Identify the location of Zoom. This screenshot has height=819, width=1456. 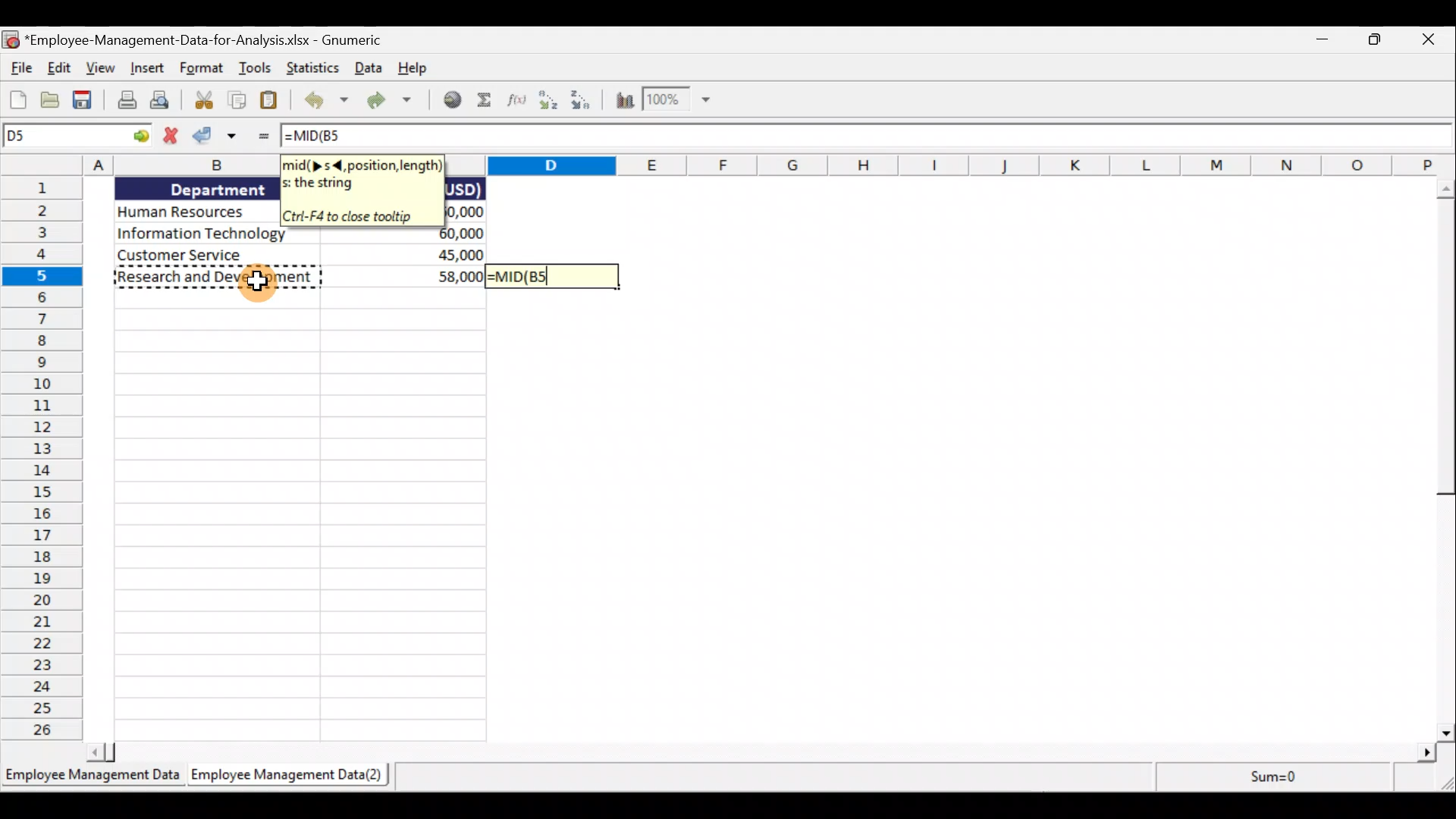
(686, 102).